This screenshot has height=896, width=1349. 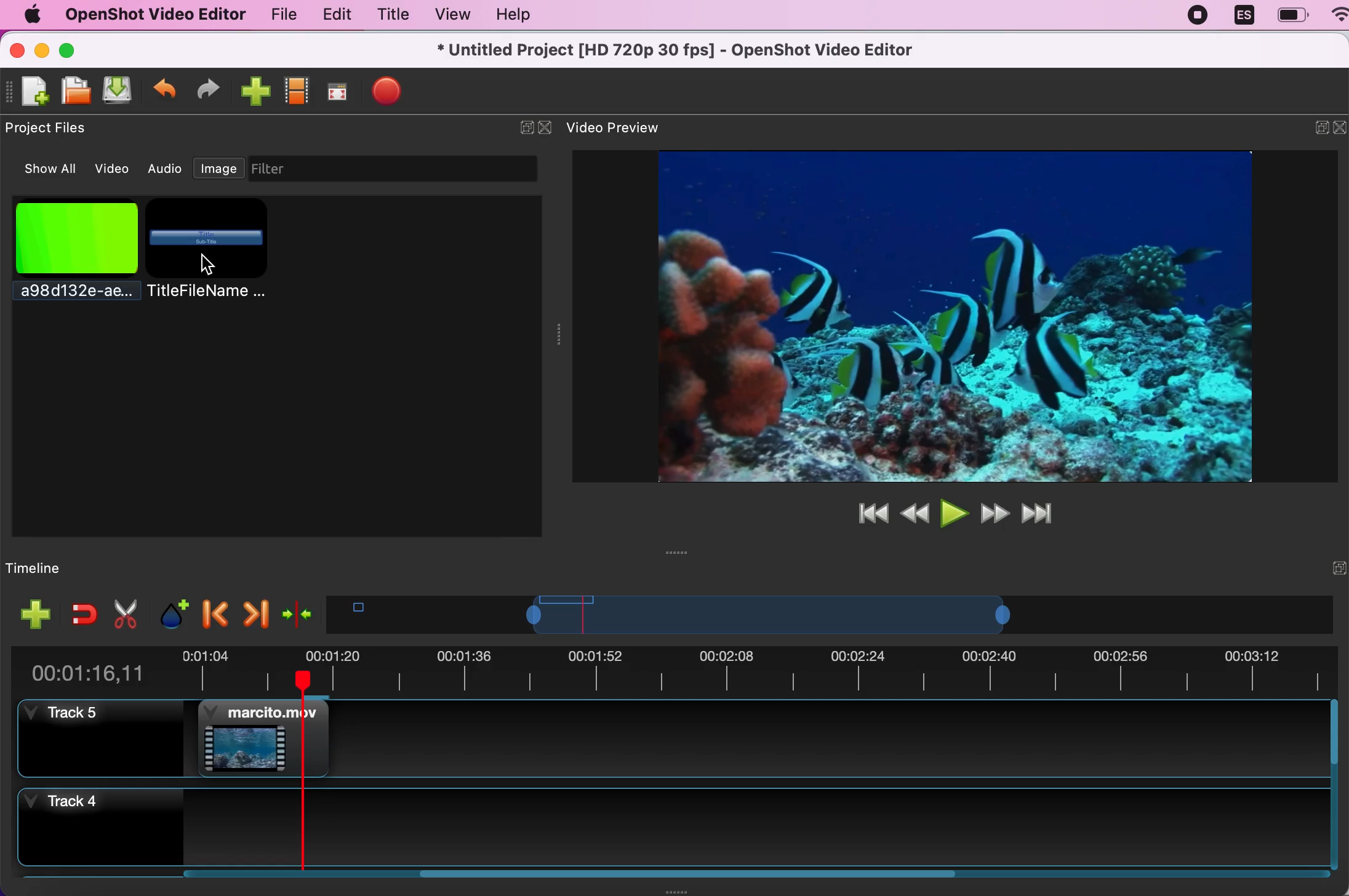 I want to click on close, so click(x=545, y=128).